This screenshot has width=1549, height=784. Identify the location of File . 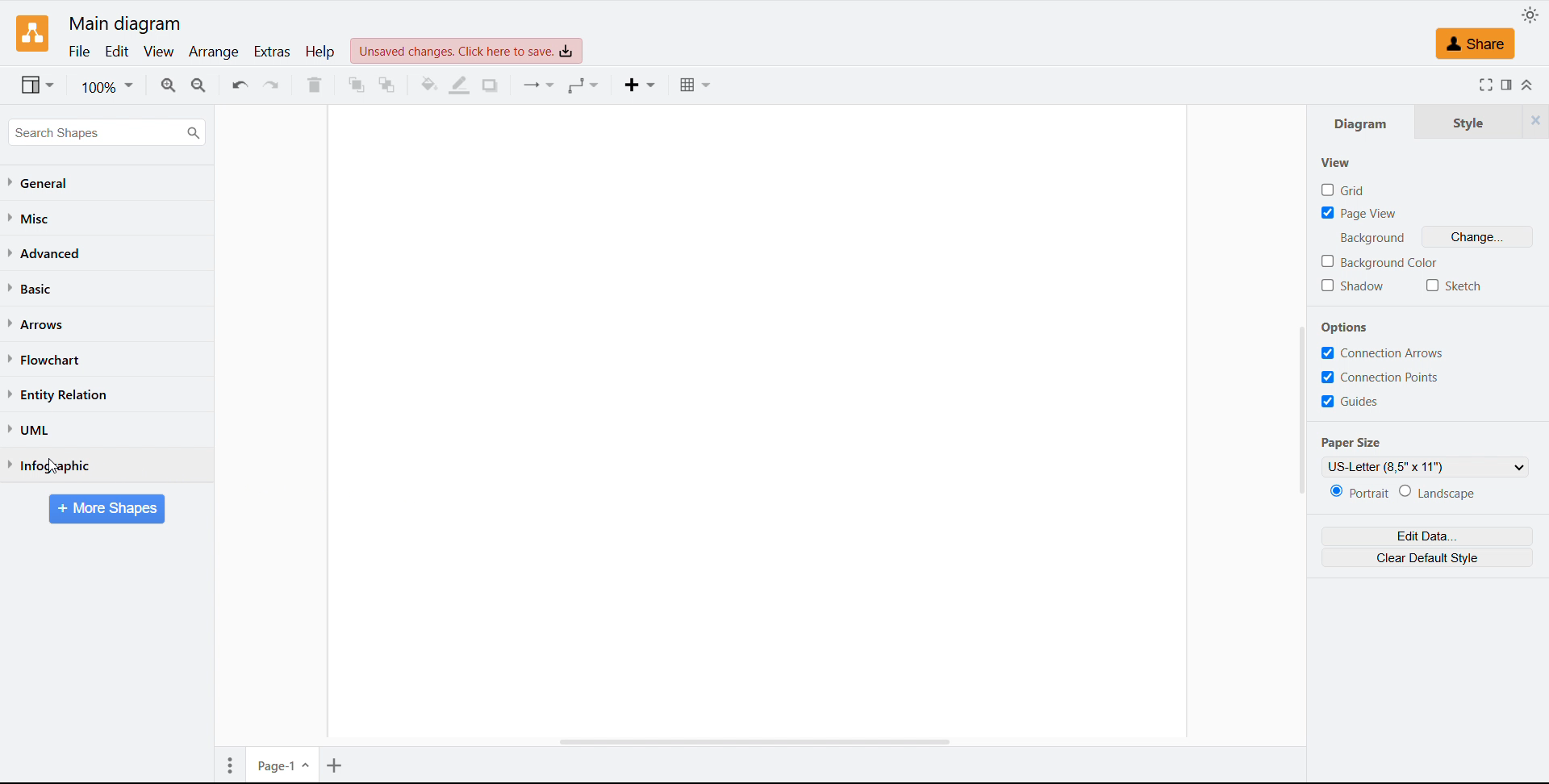
(78, 52).